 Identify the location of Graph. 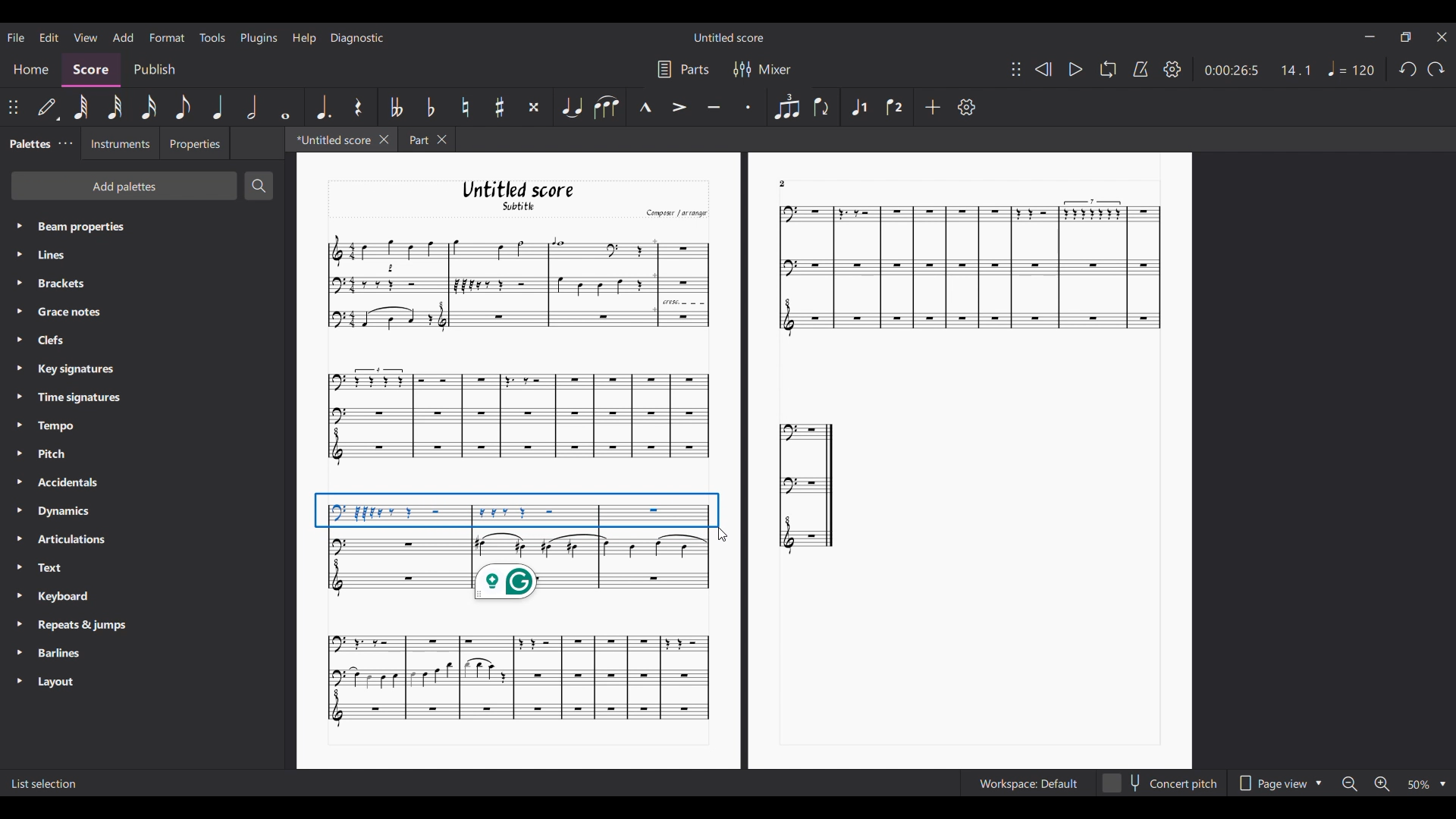
(516, 283).